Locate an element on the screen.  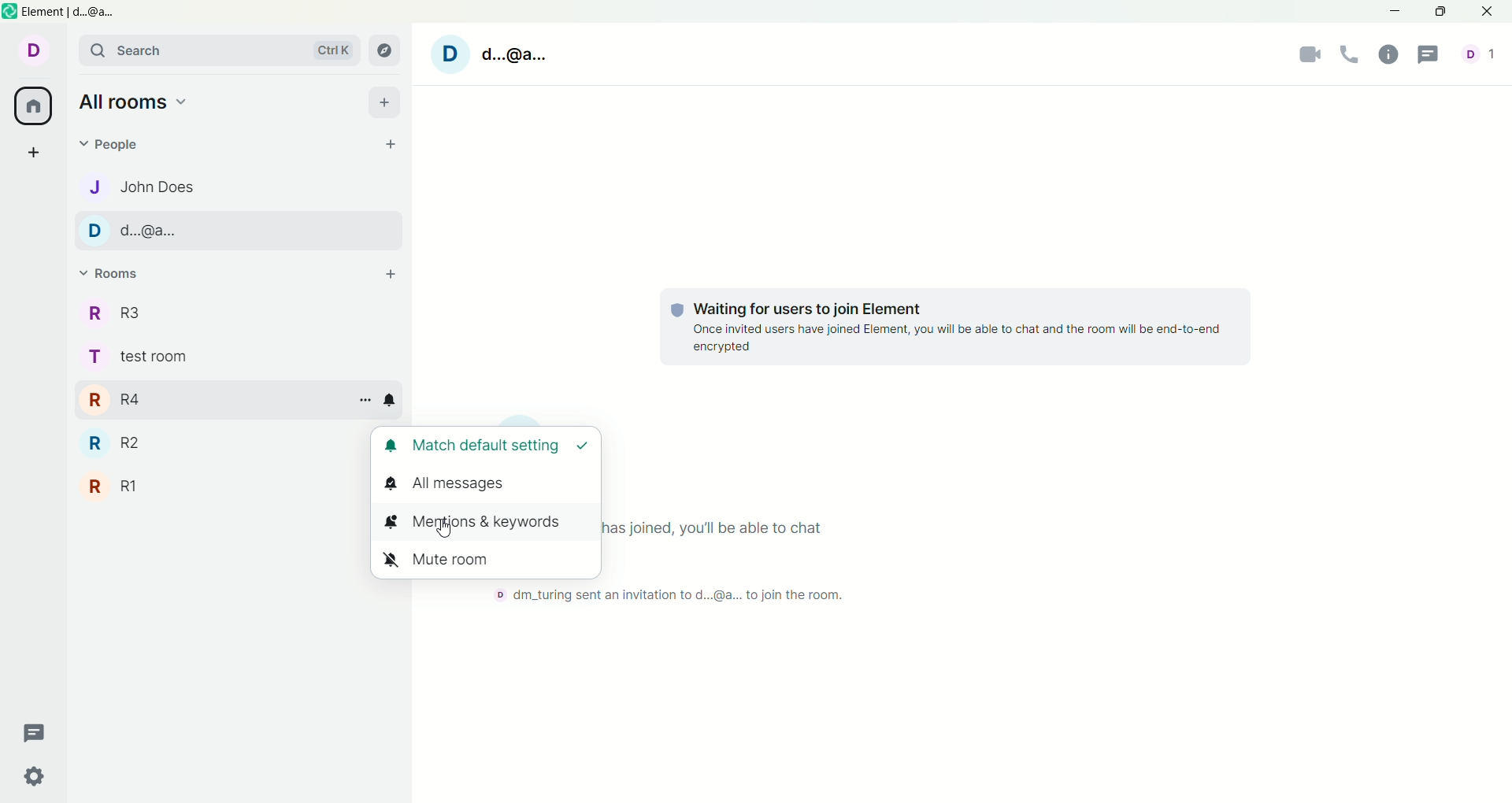
search is located at coordinates (218, 51).